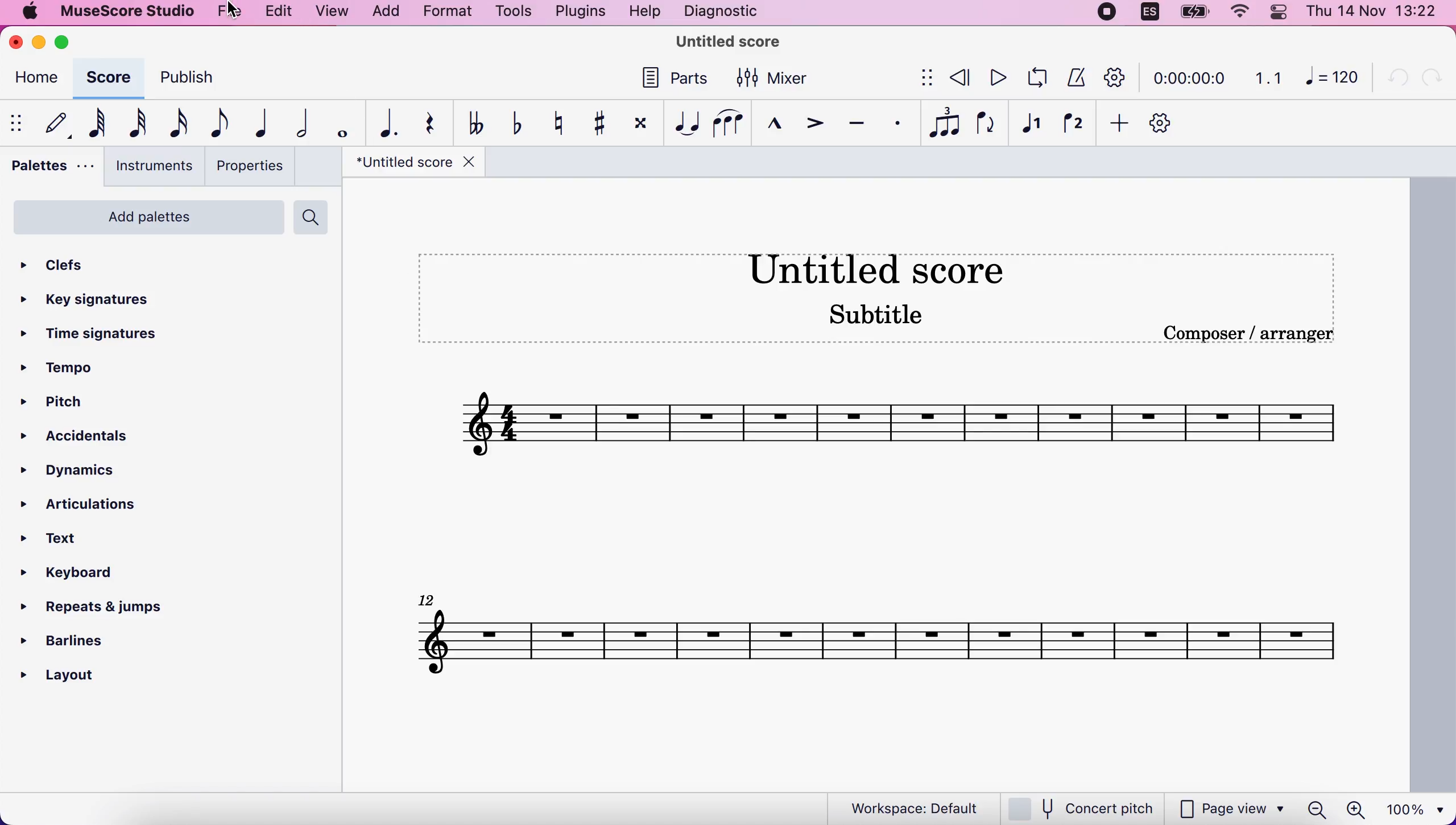 The image size is (1456, 825). What do you see at coordinates (428, 125) in the screenshot?
I see `rest` at bounding box center [428, 125].